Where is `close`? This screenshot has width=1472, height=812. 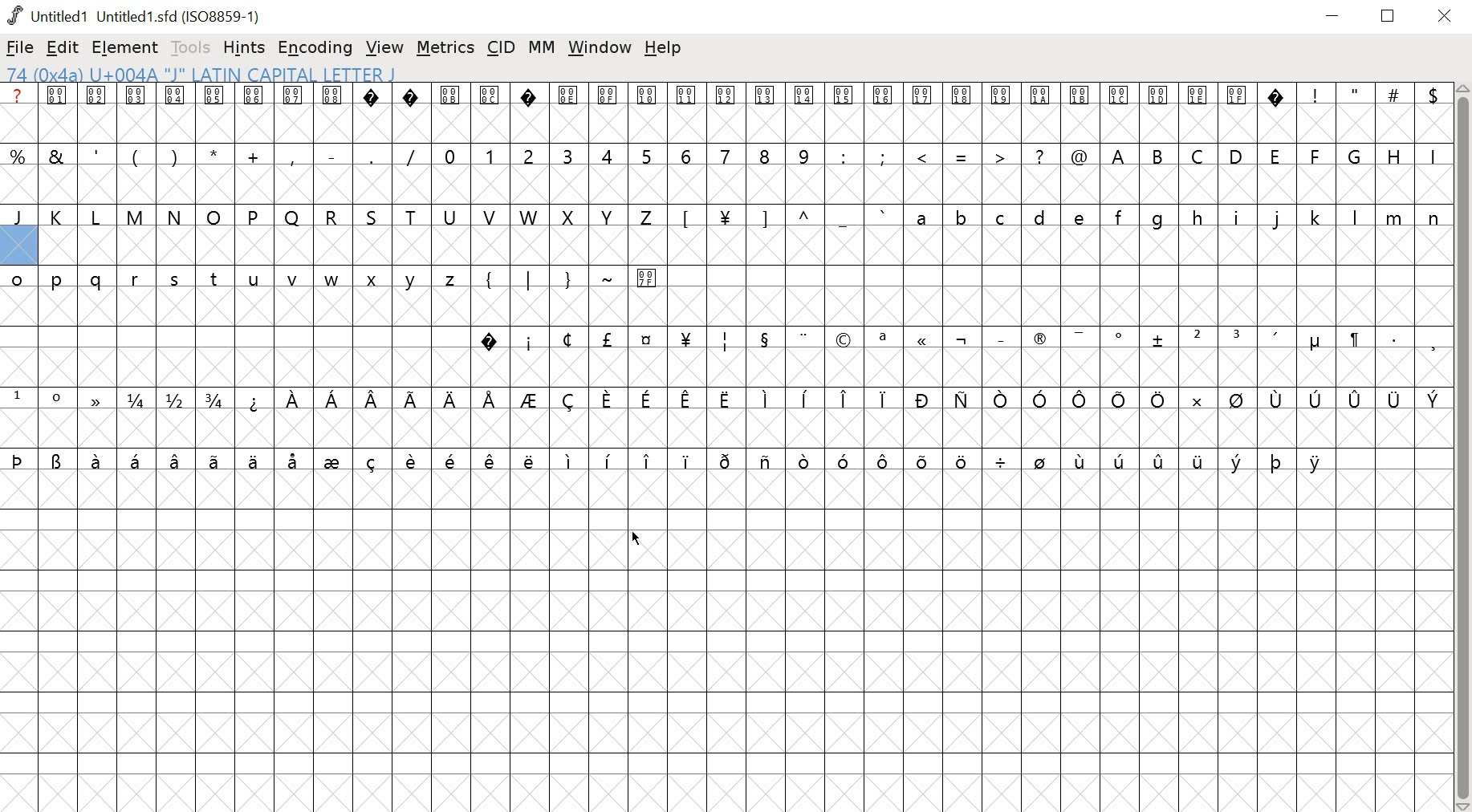
close is located at coordinates (1447, 17).